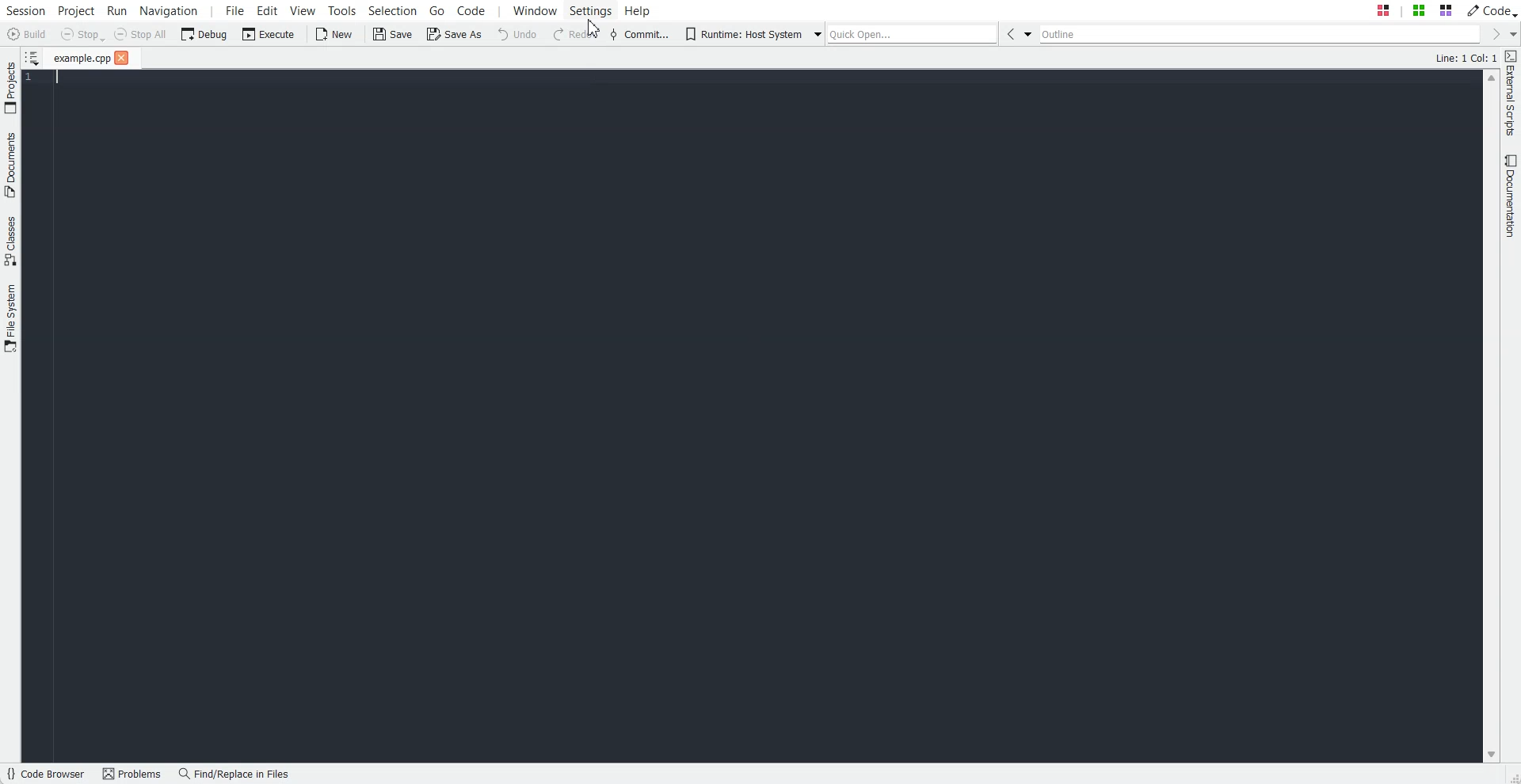 The image size is (1521, 784). I want to click on Drop down box, so click(1028, 33).